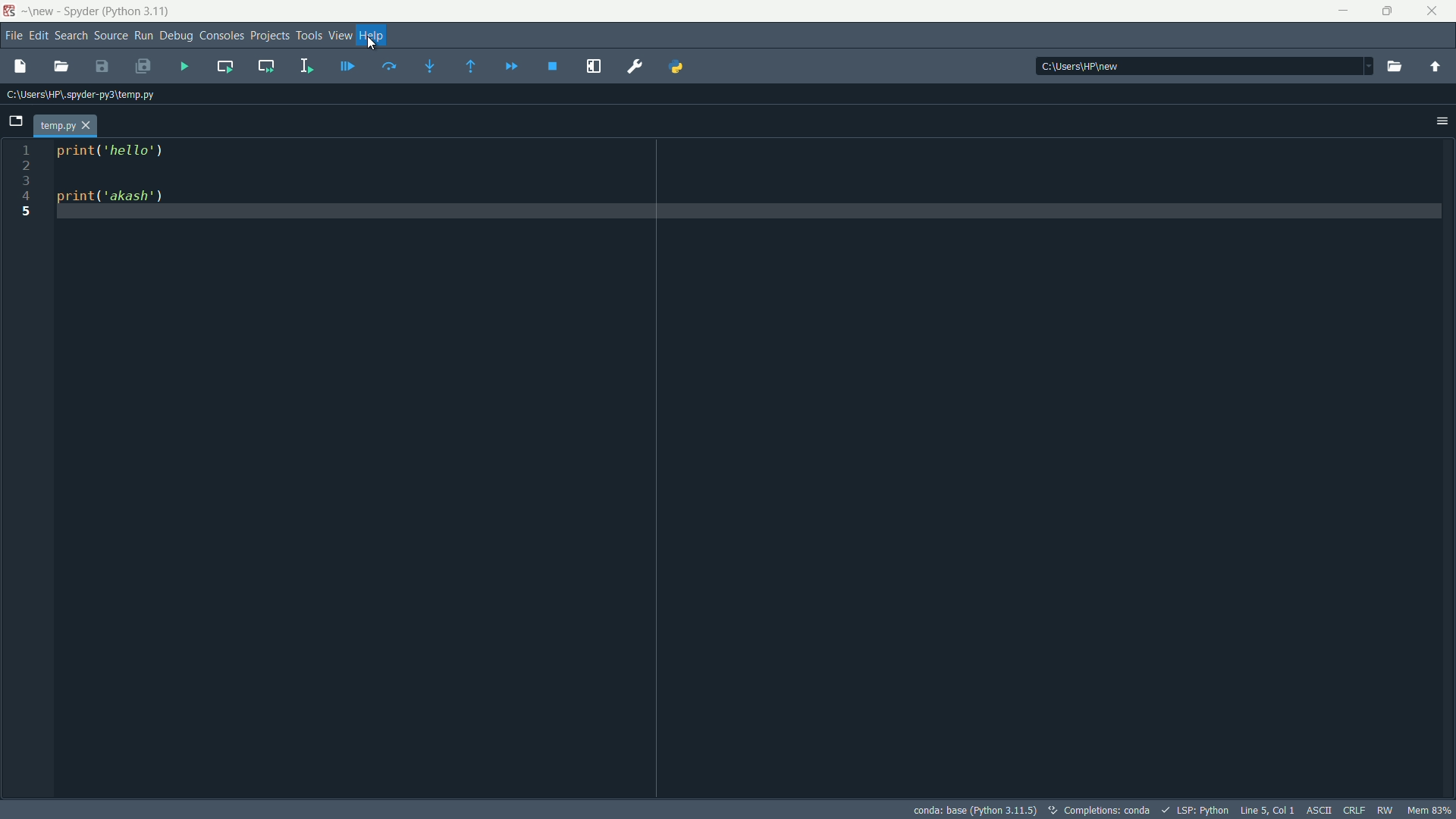  What do you see at coordinates (1389, 11) in the screenshot?
I see `maximize` at bounding box center [1389, 11].